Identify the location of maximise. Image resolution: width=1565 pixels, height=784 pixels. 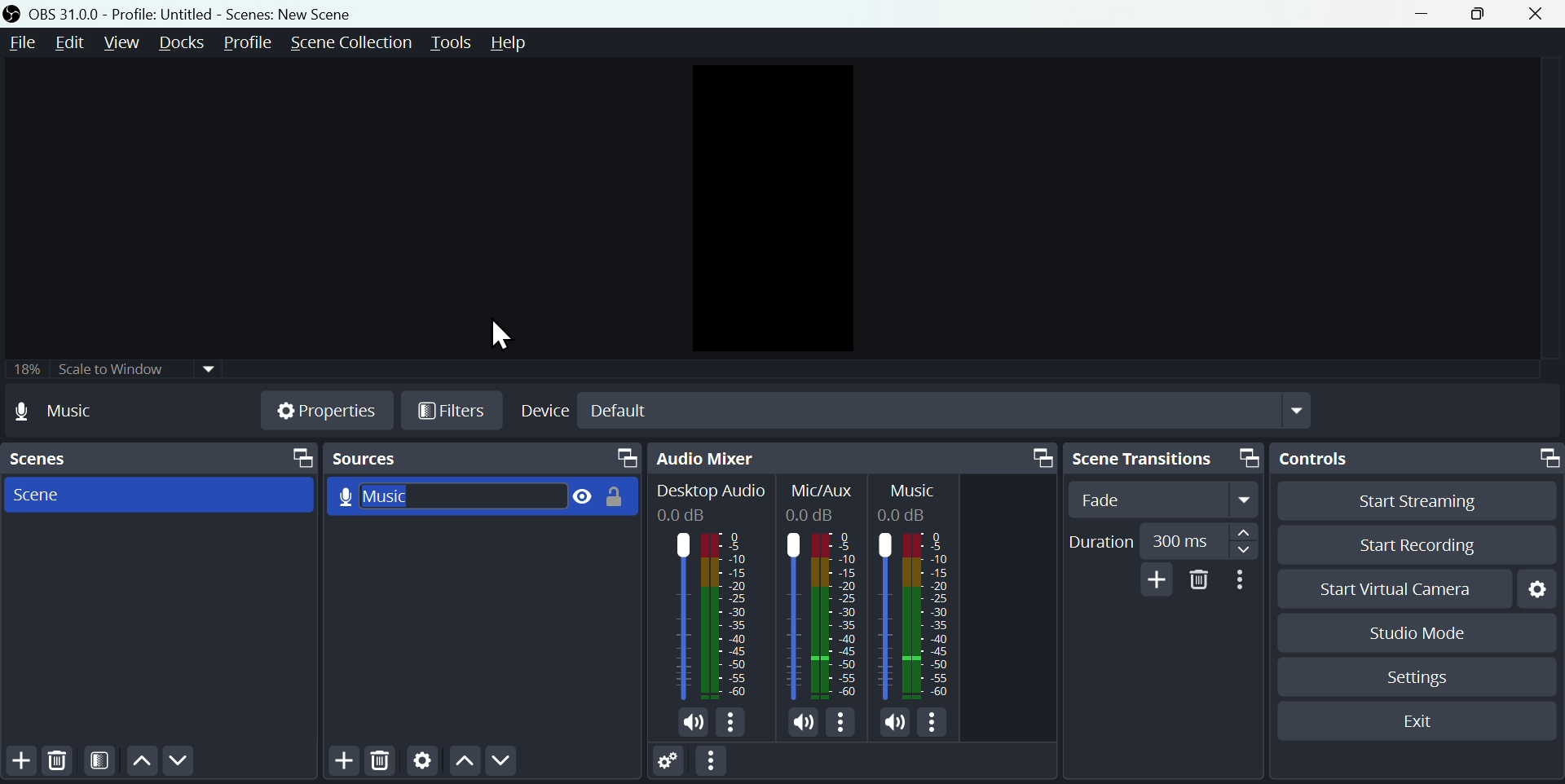
(1481, 14).